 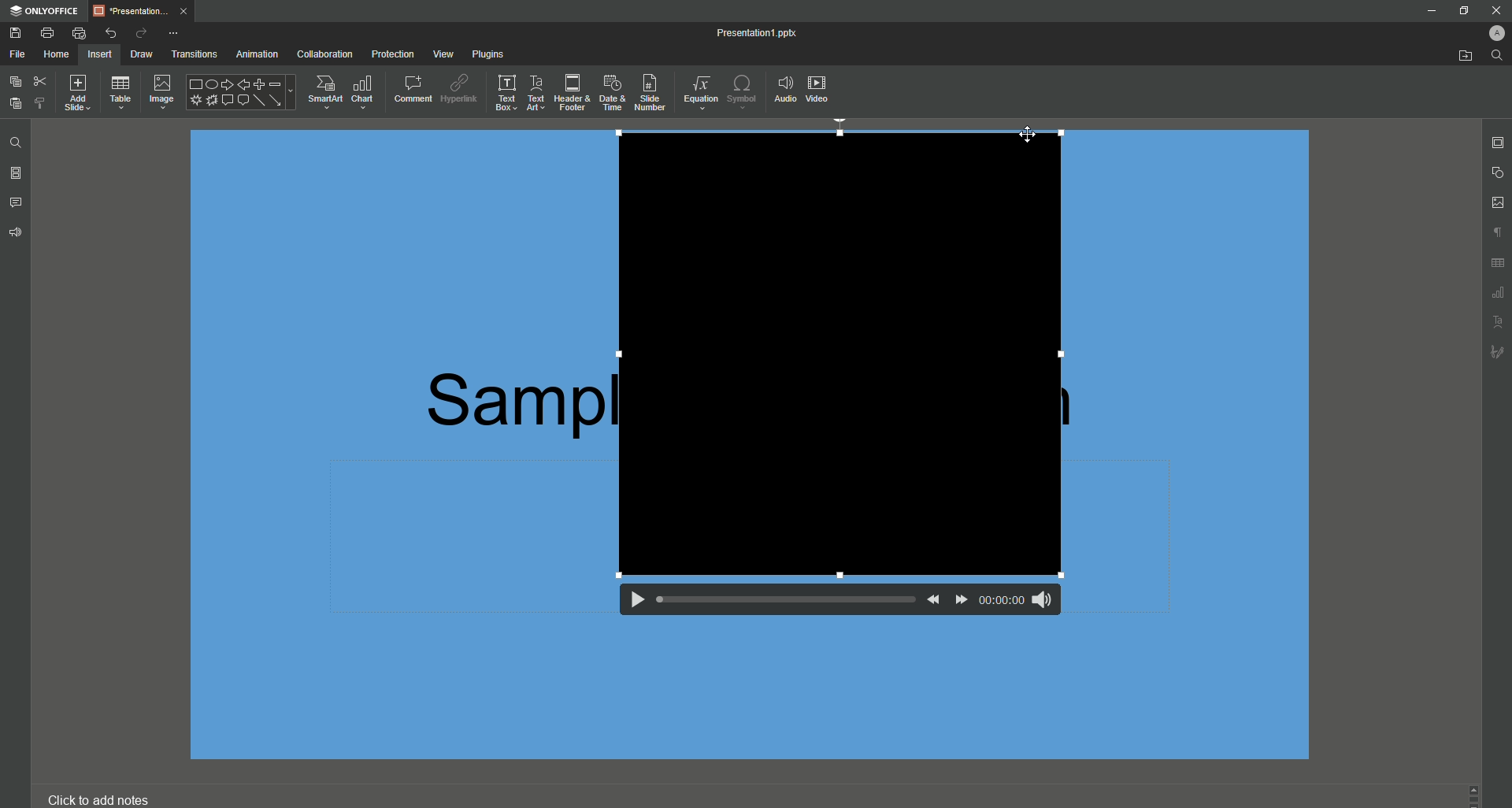 I want to click on File, so click(x=17, y=54).